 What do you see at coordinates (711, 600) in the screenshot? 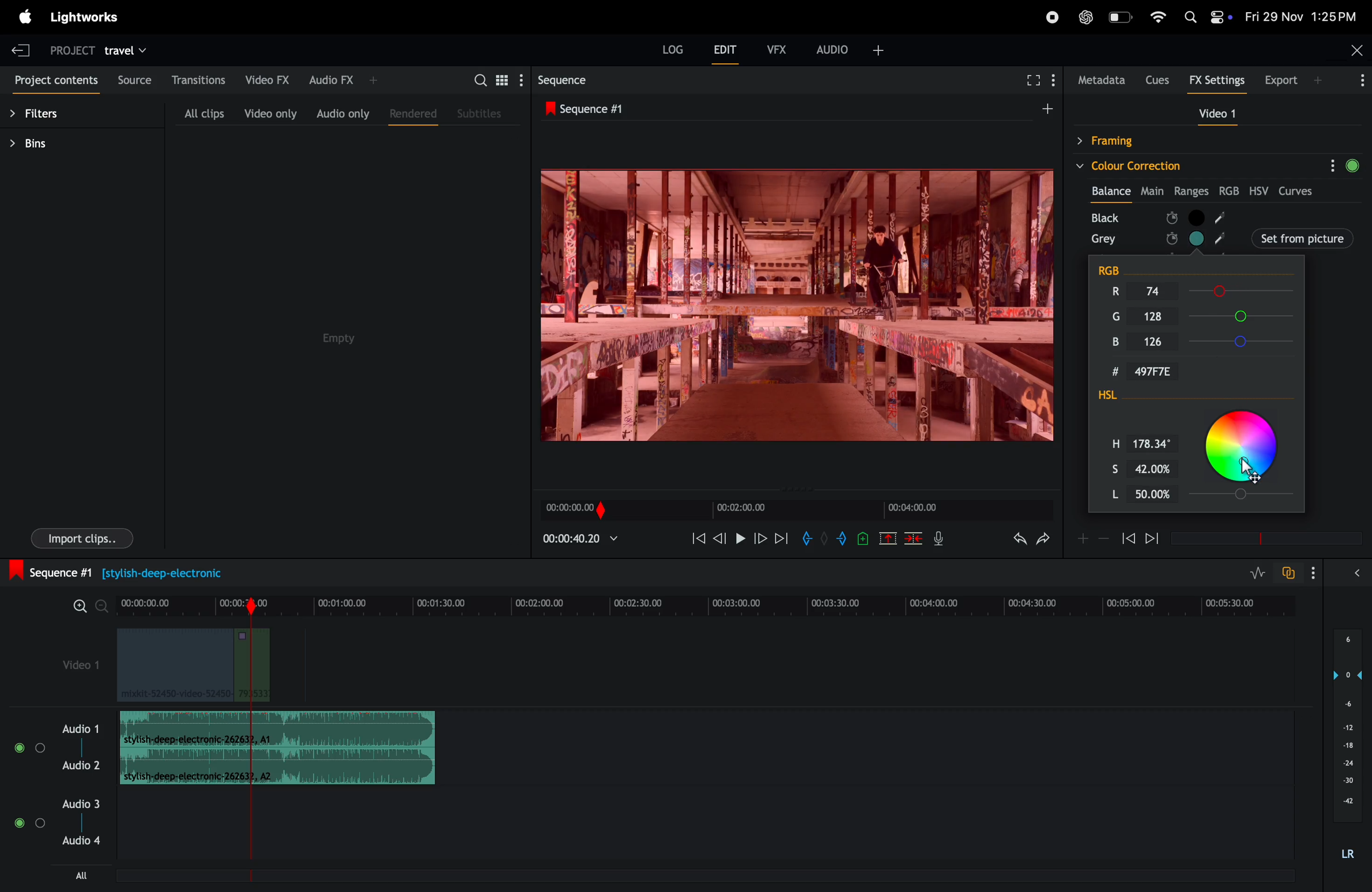
I see `time frame` at bounding box center [711, 600].